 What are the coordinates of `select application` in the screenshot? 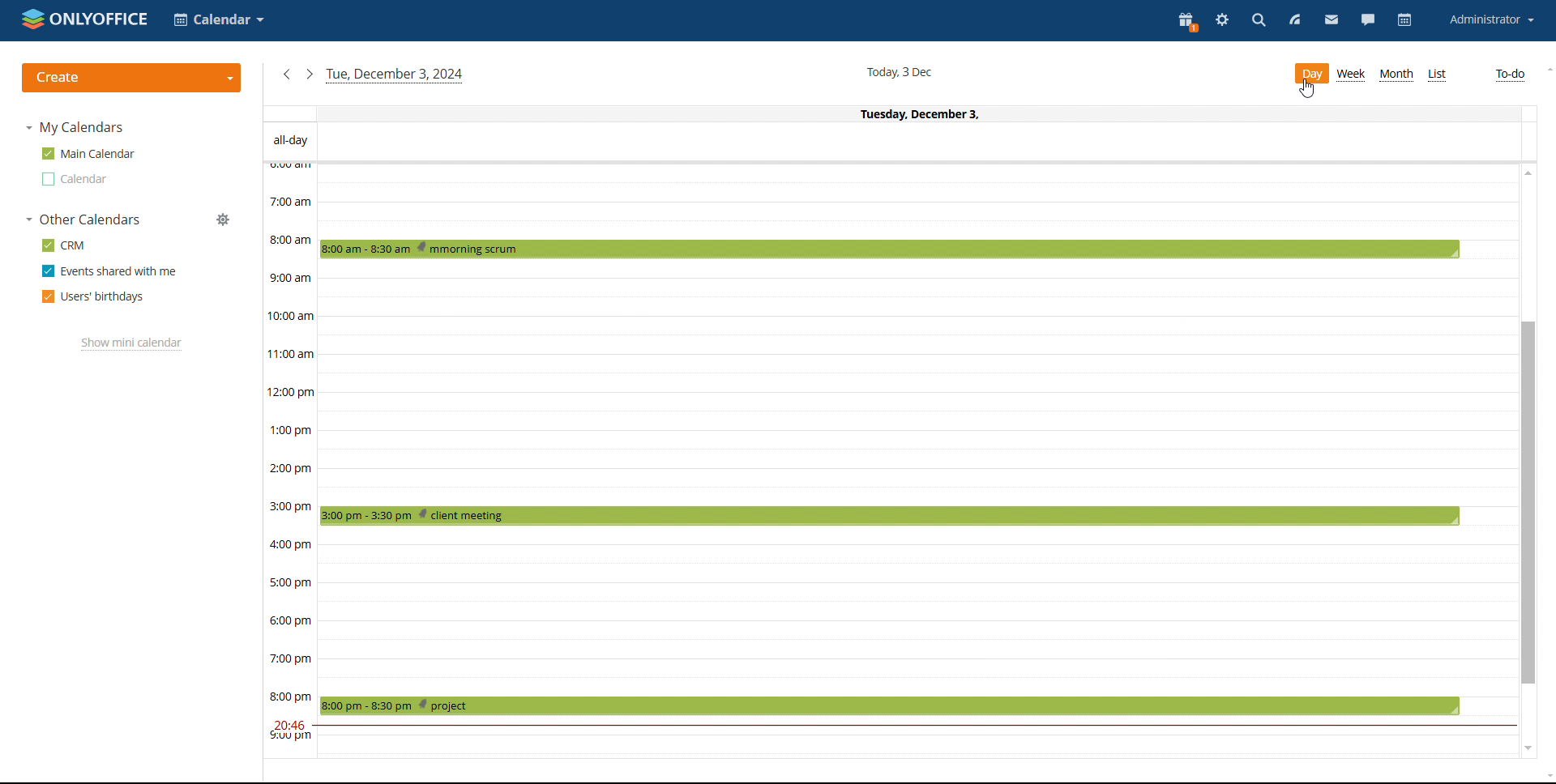 It's located at (217, 19).